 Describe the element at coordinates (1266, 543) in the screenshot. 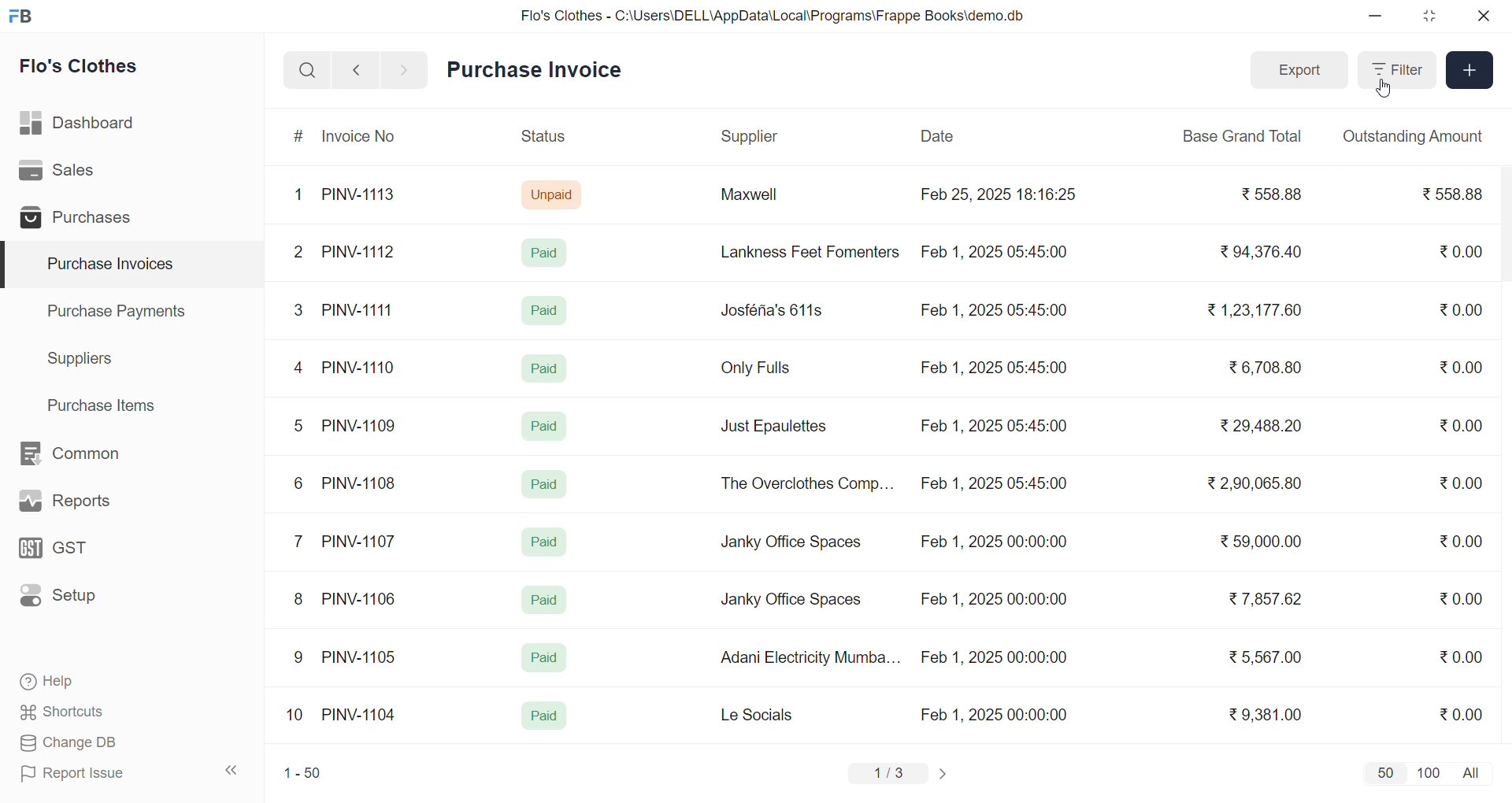

I see `₹ 59,000.00` at that location.